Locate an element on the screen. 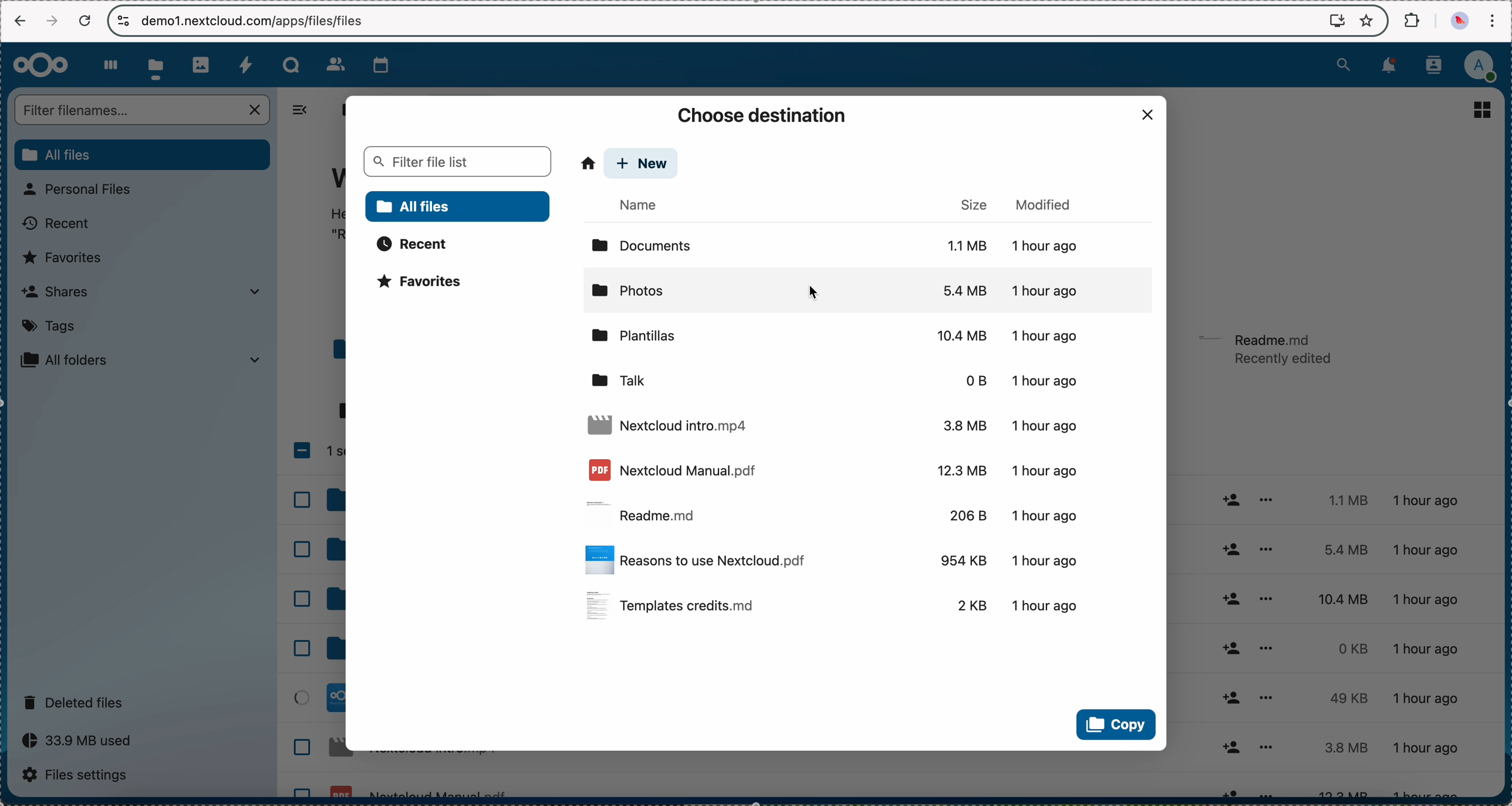  more options is located at coordinates (1266, 645).